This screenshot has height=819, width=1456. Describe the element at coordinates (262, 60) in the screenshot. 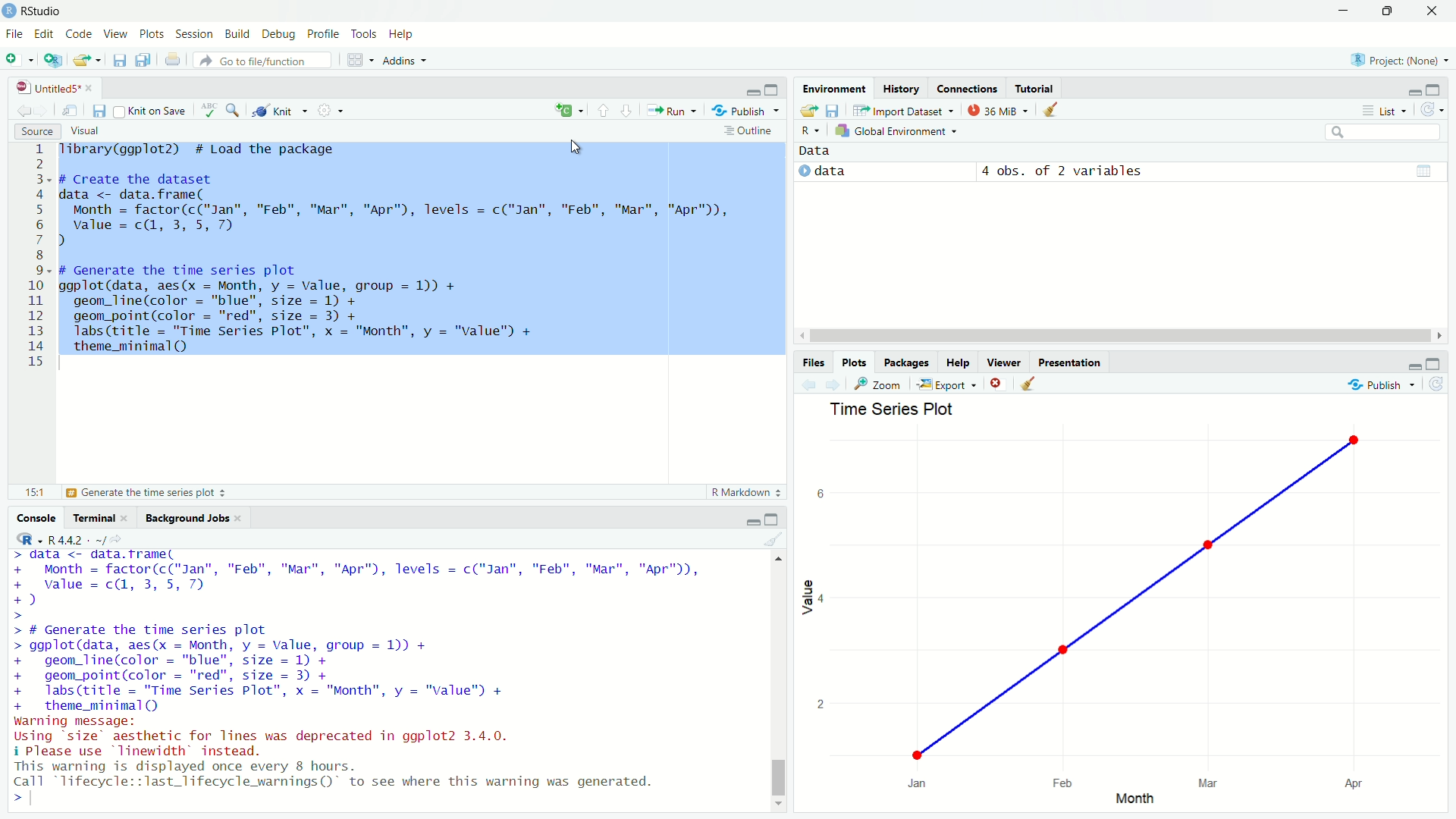

I see `go to file/function` at that location.